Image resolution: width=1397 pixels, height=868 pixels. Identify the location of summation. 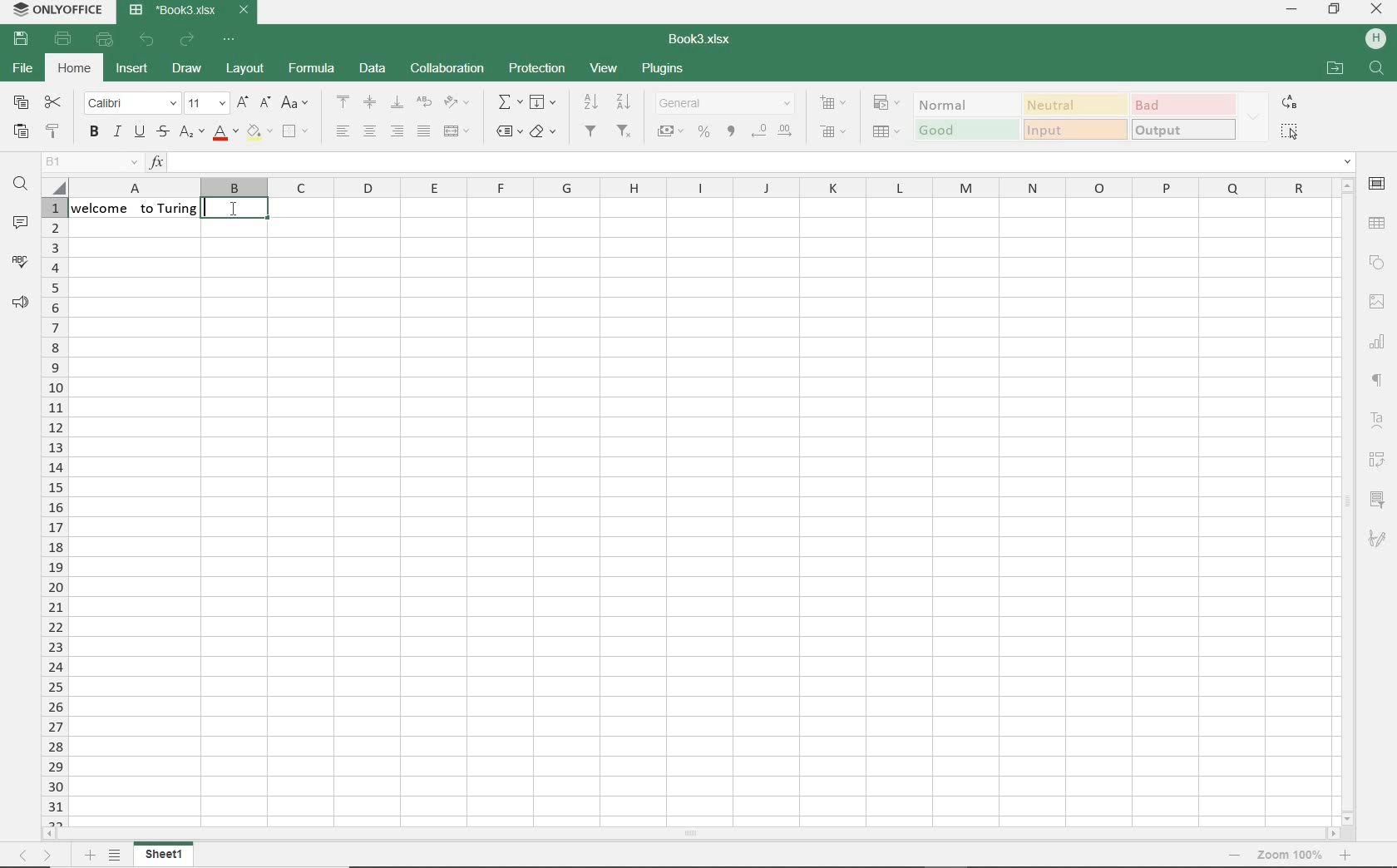
(507, 104).